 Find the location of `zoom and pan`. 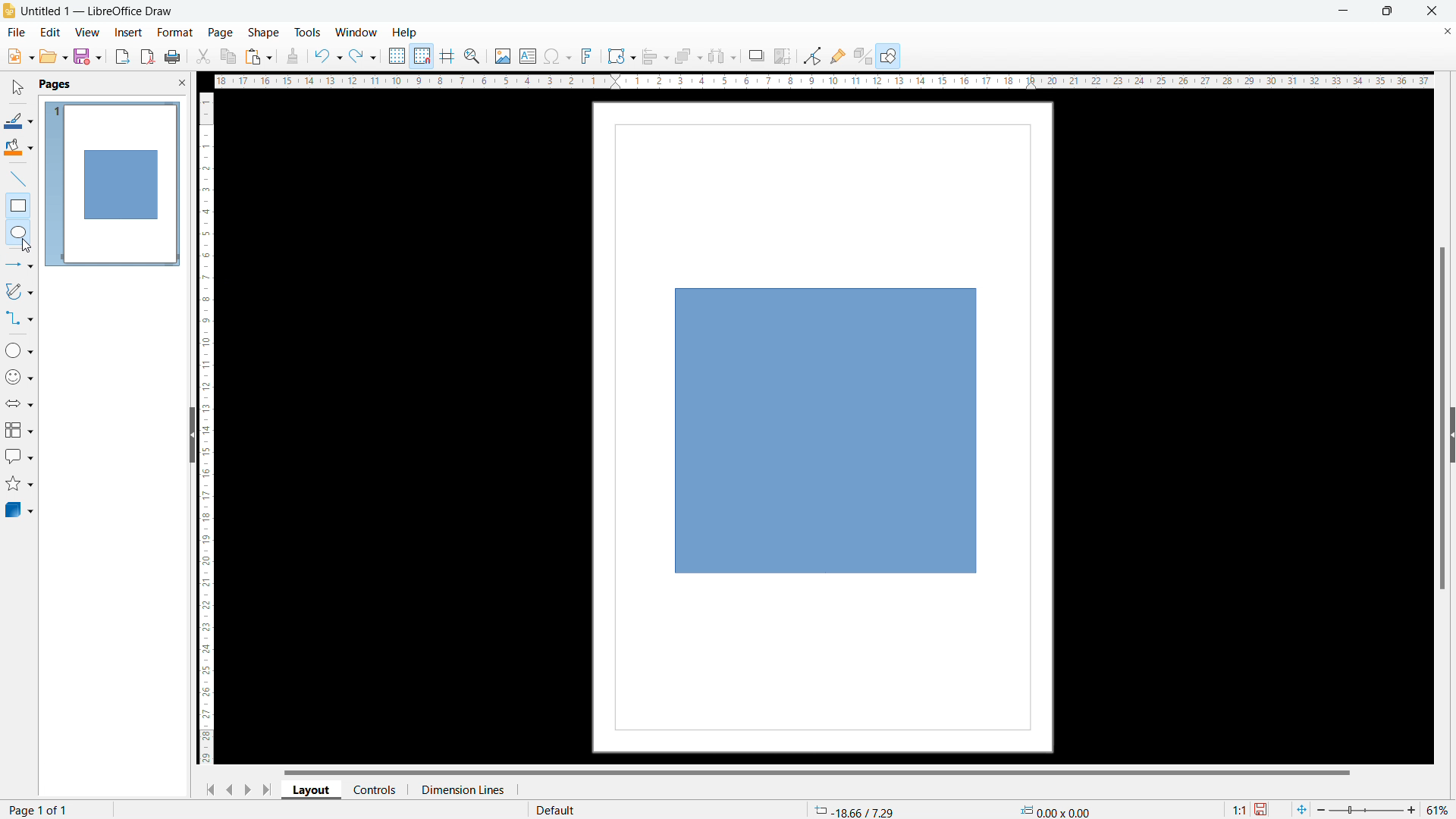

zoom and pan is located at coordinates (472, 58).